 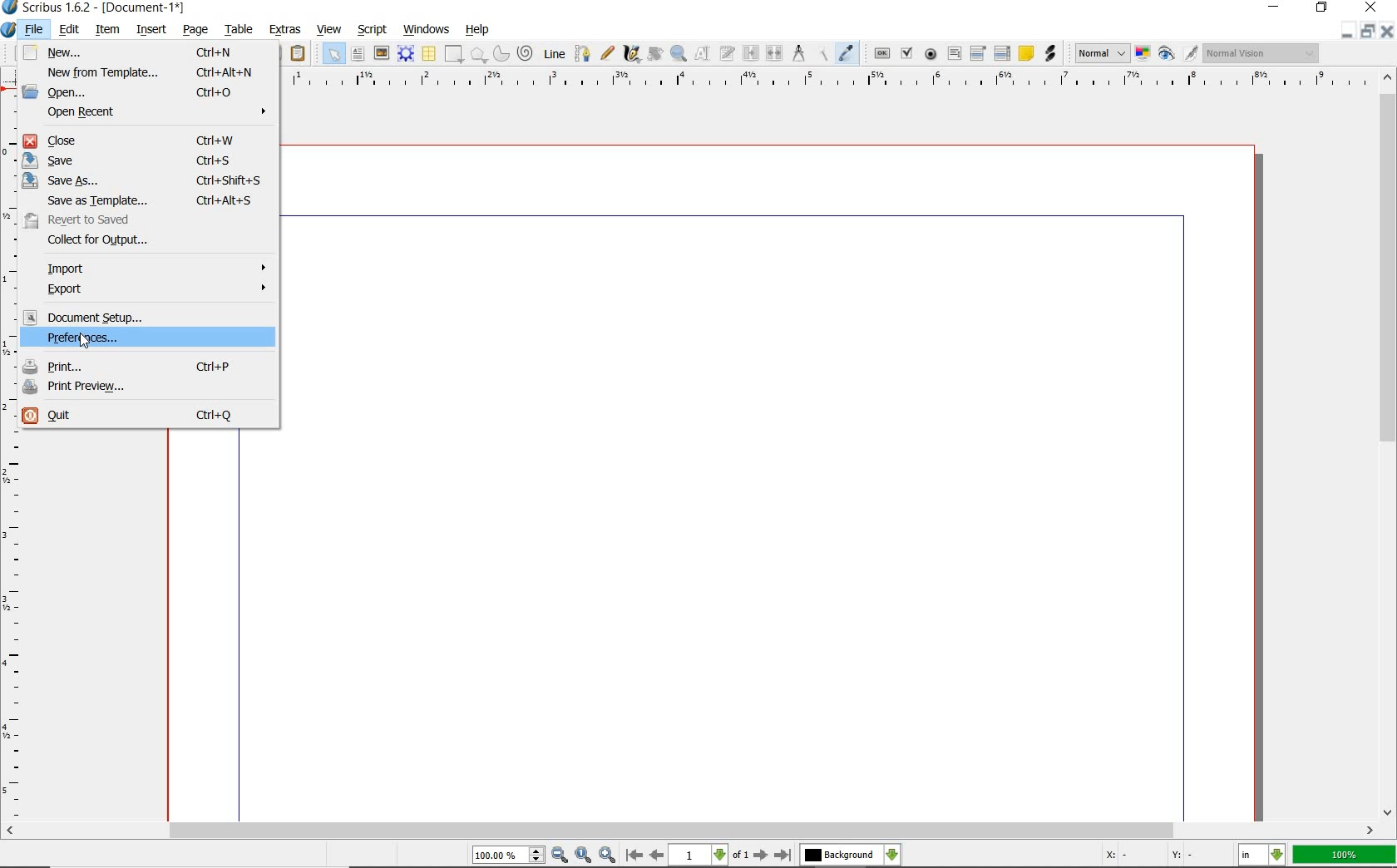 What do you see at coordinates (143, 140) in the screenshot?
I see `close` at bounding box center [143, 140].